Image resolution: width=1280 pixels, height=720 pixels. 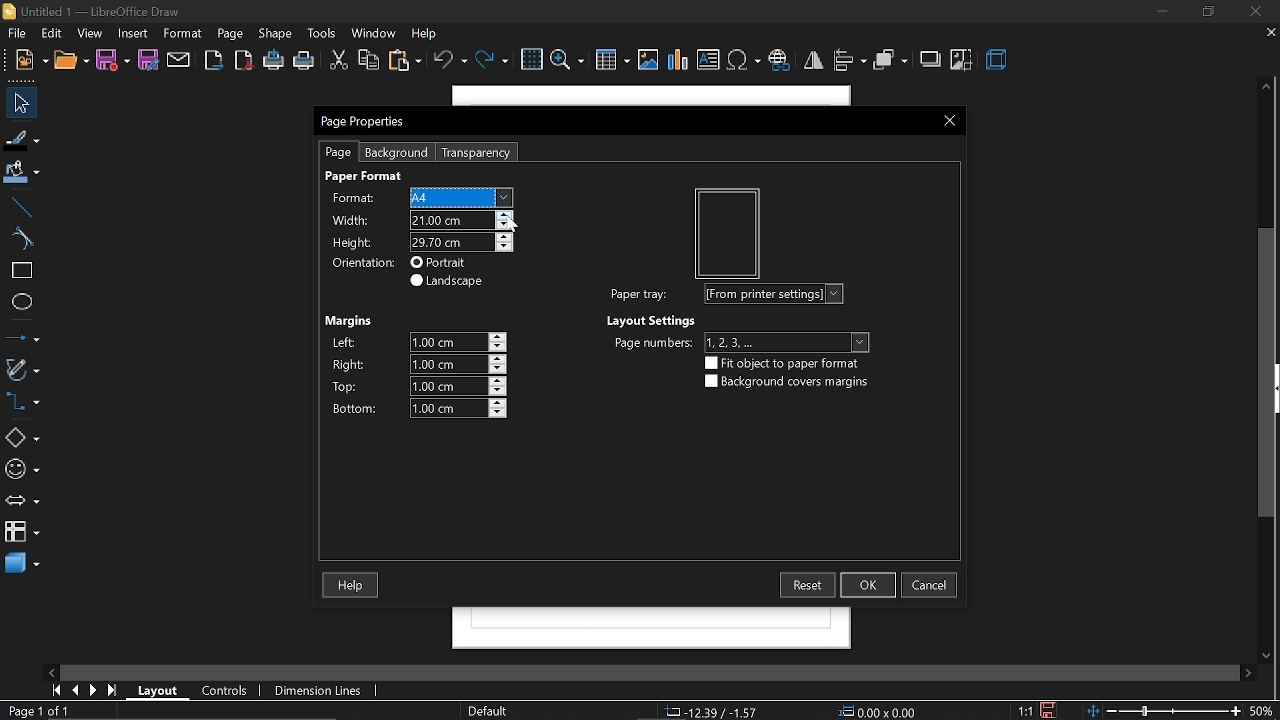 I want to click on transparency, so click(x=478, y=154).